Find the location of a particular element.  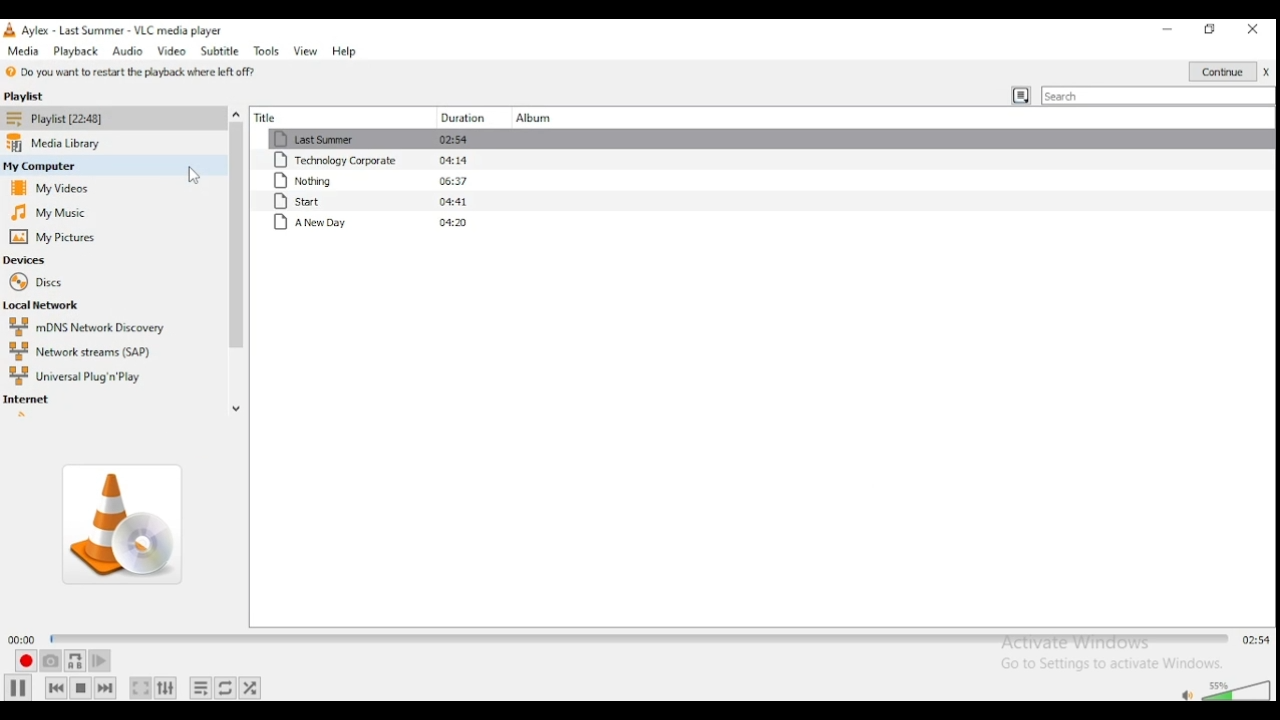

close window is located at coordinates (1253, 30).